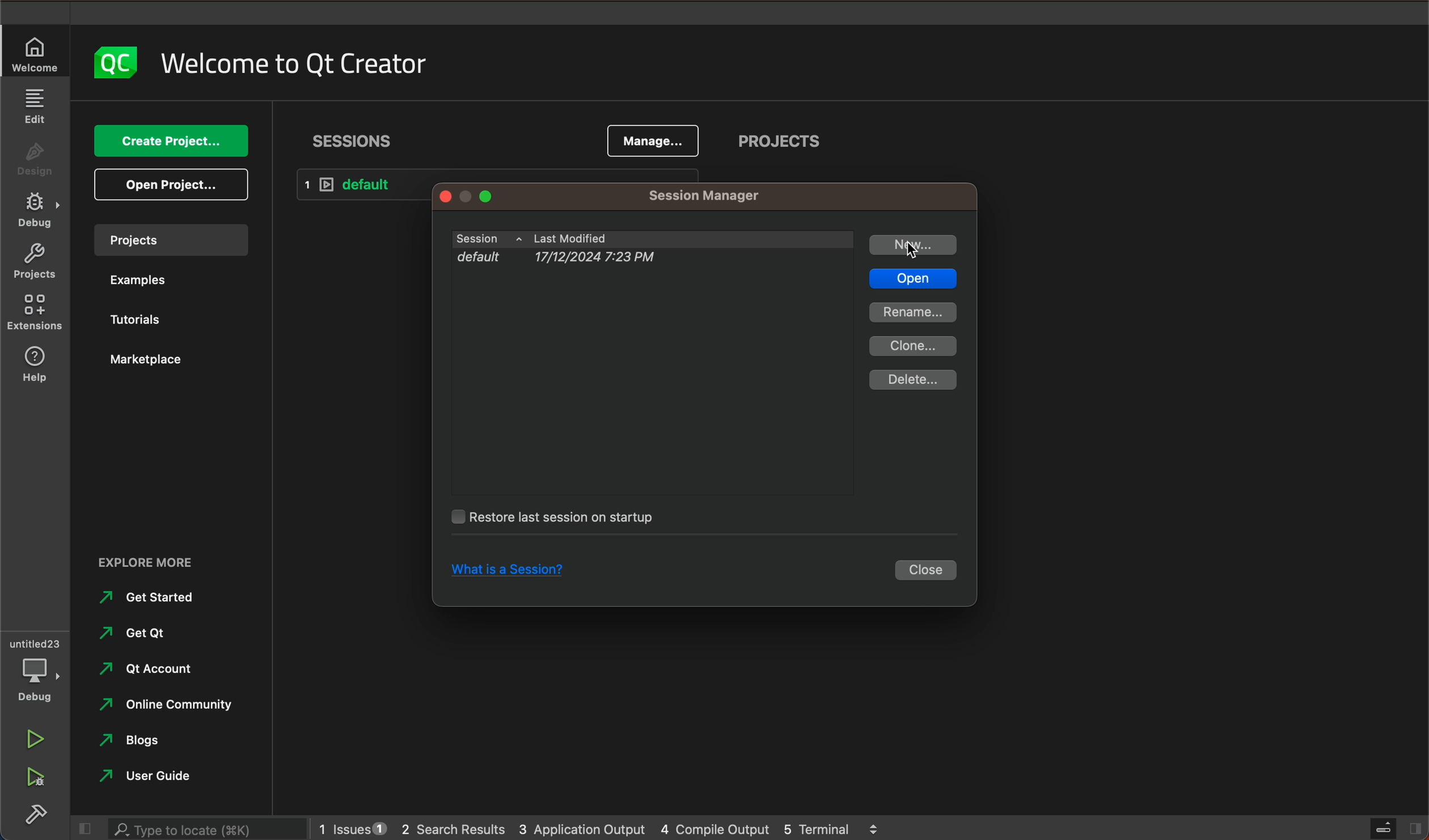  What do you see at coordinates (652, 239) in the screenshot?
I see `sessions , last modified` at bounding box center [652, 239].